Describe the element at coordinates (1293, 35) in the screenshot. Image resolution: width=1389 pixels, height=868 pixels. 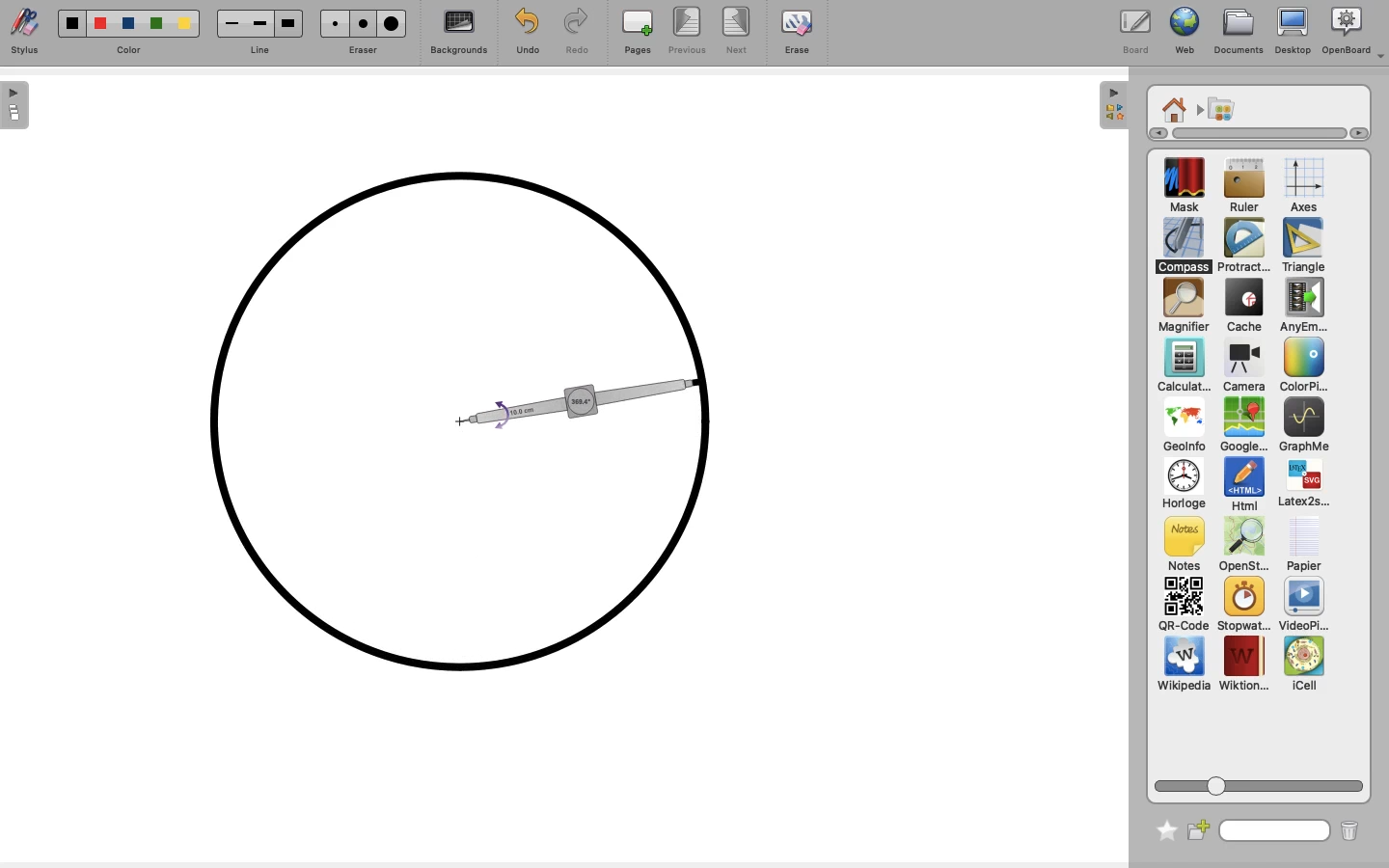
I see `Desktop` at that location.